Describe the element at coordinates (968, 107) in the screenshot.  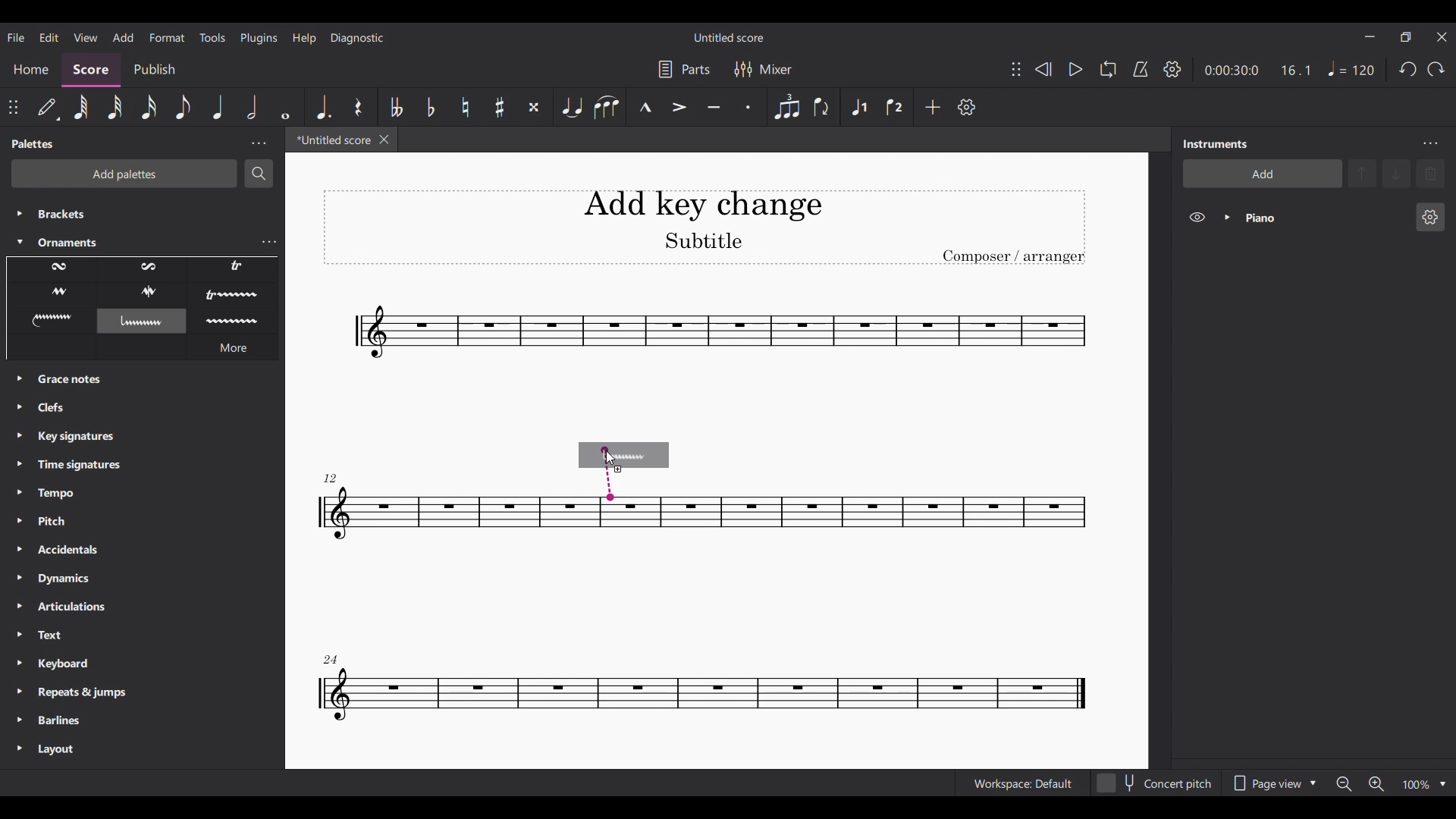
I see `Customize tools` at that location.